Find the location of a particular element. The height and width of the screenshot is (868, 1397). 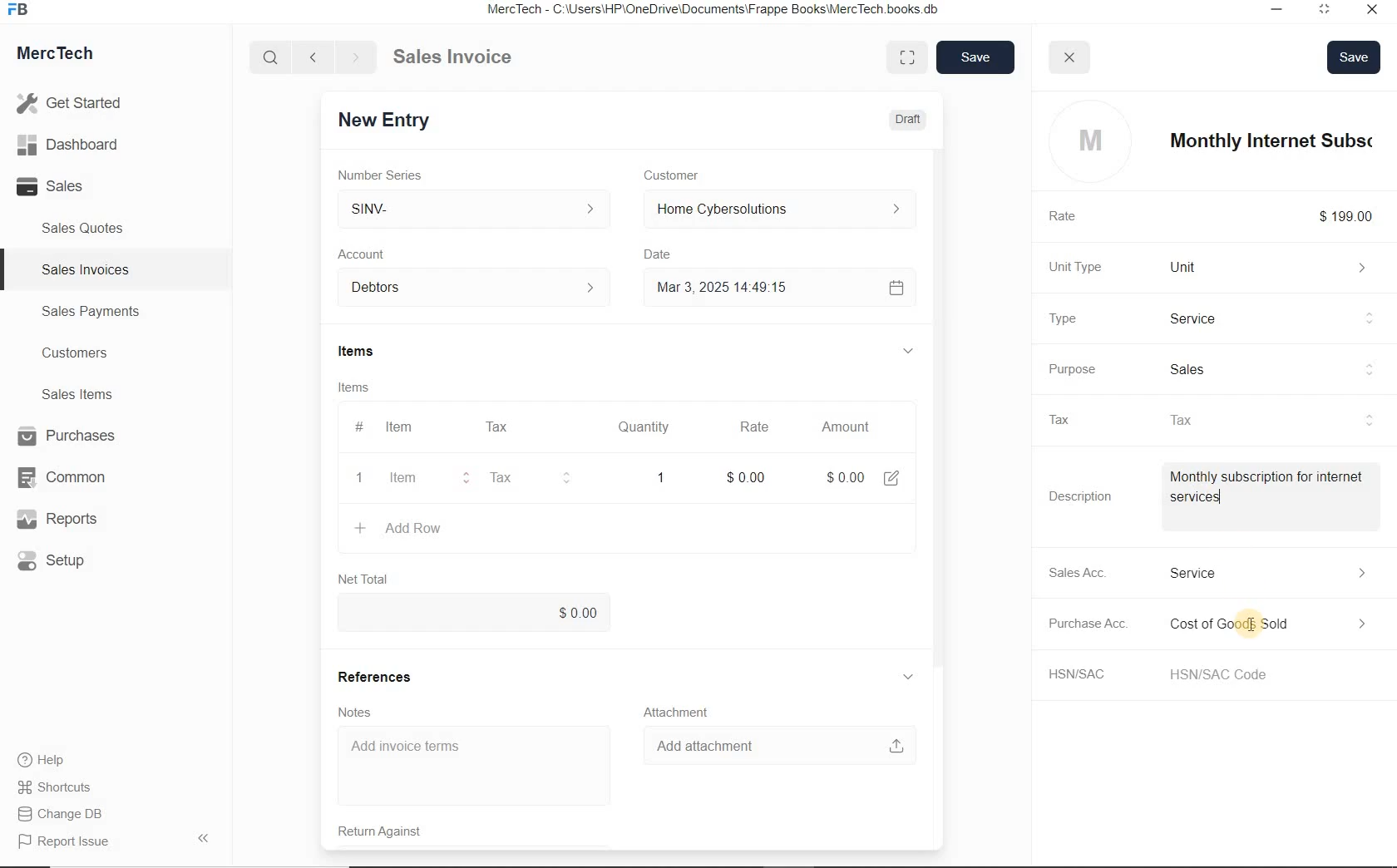

MercTech - C:\Users\HP\OneDrive\Documents\Frappe Books\MercTech books db is located at coordinates (715, 10).